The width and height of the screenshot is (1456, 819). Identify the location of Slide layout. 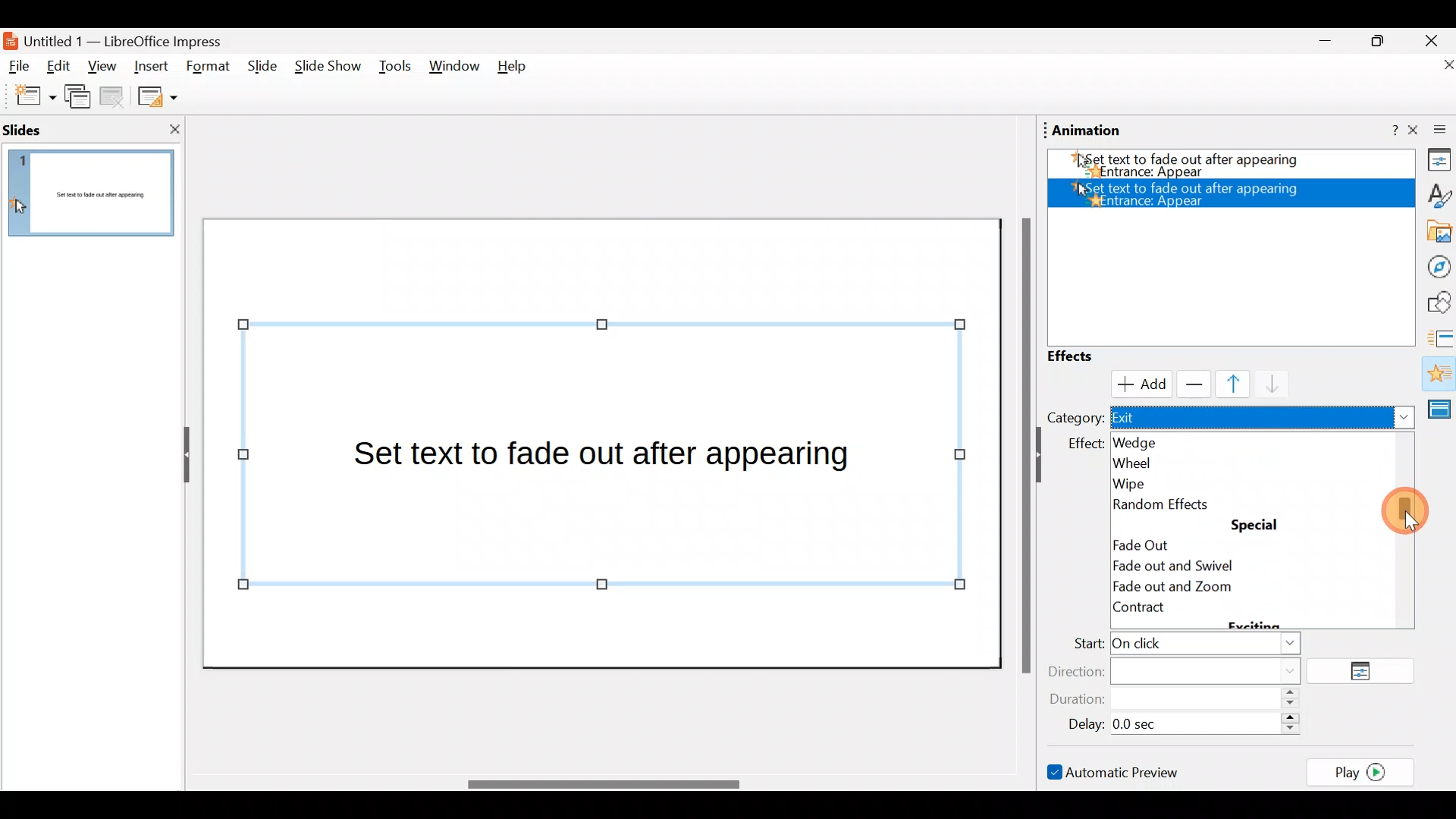
(156, 96).